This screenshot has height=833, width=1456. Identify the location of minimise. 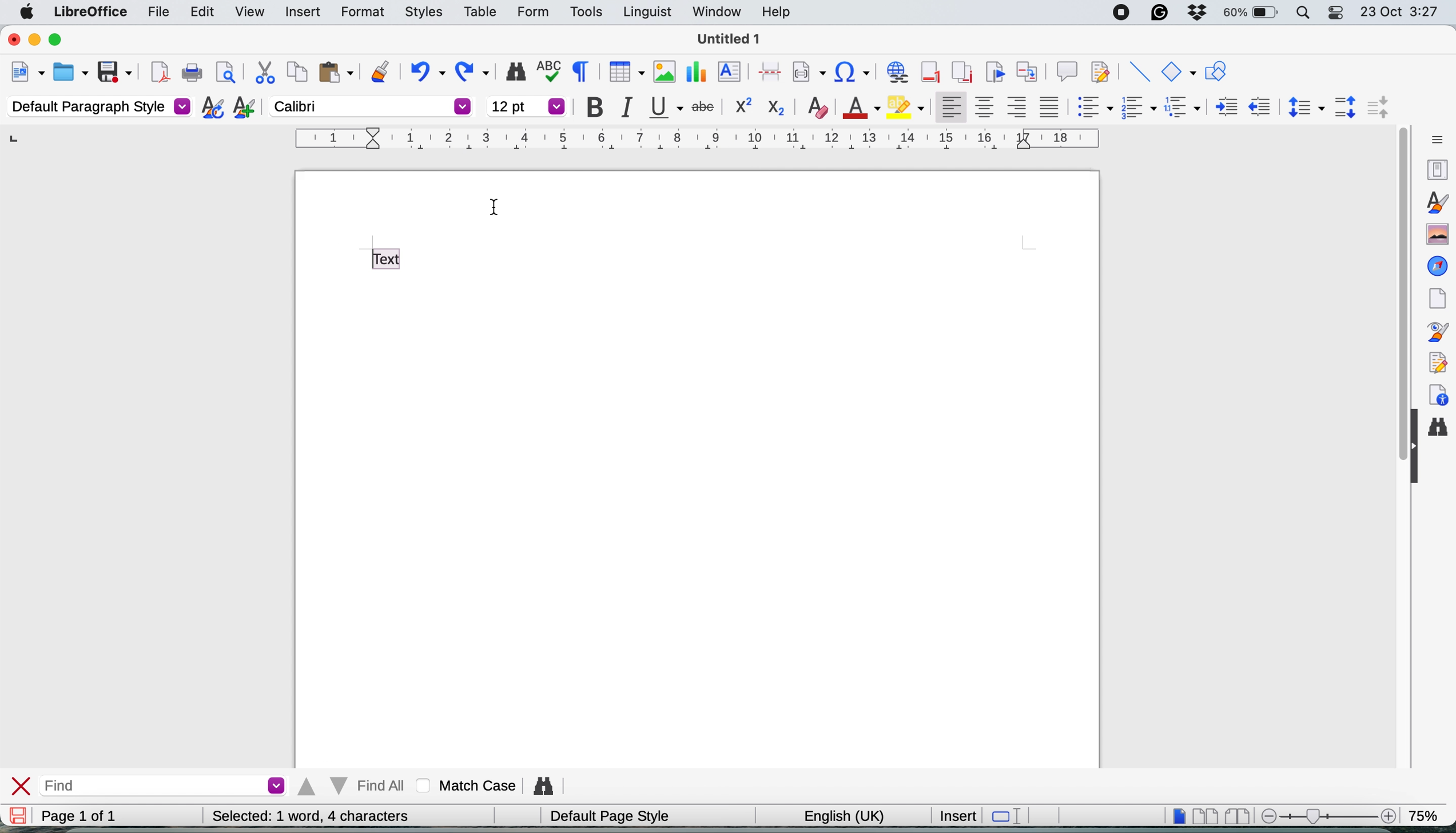
(33, 39).